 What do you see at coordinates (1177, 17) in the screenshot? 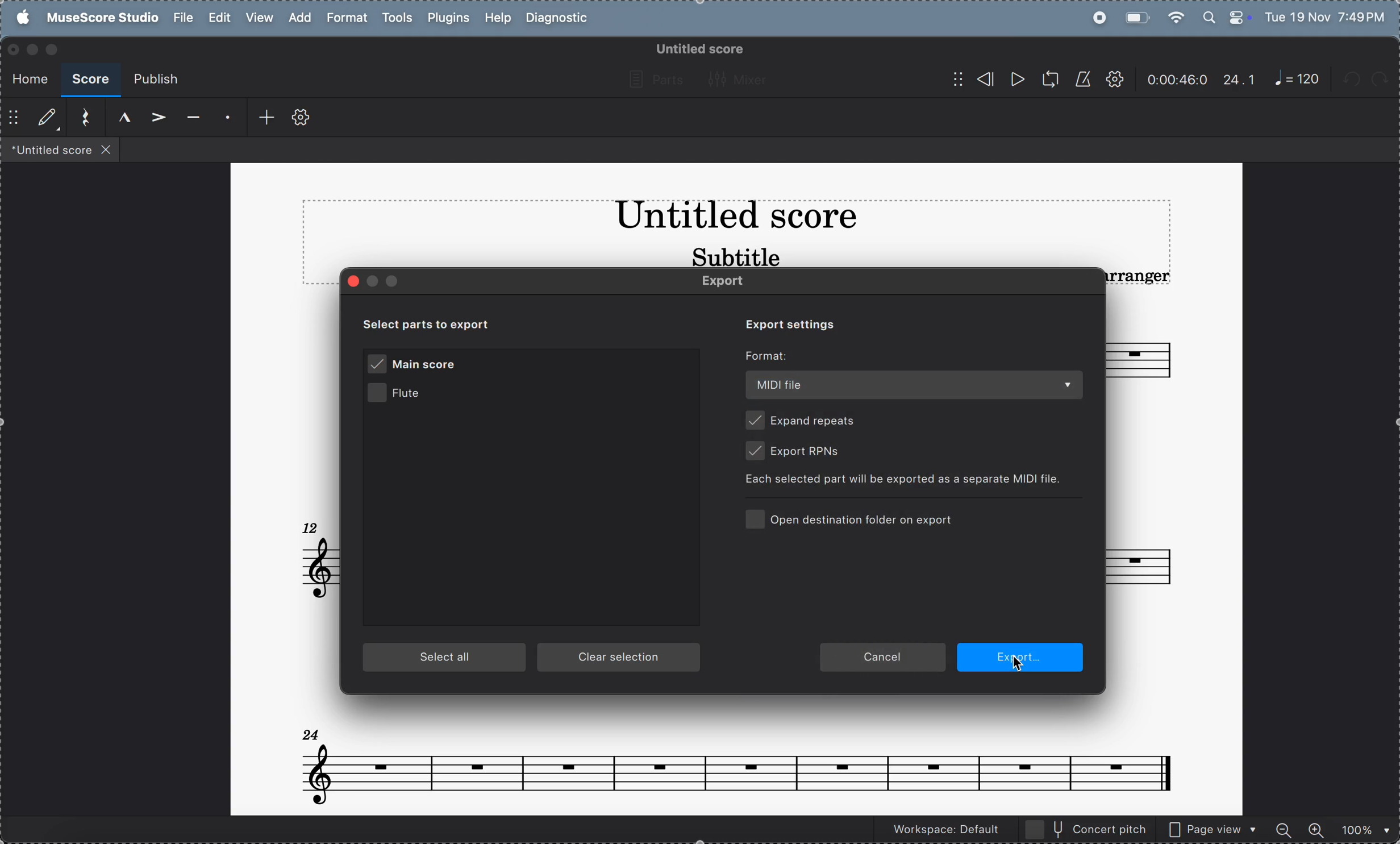
I see `wifi` at bounding box center [1177, 17].